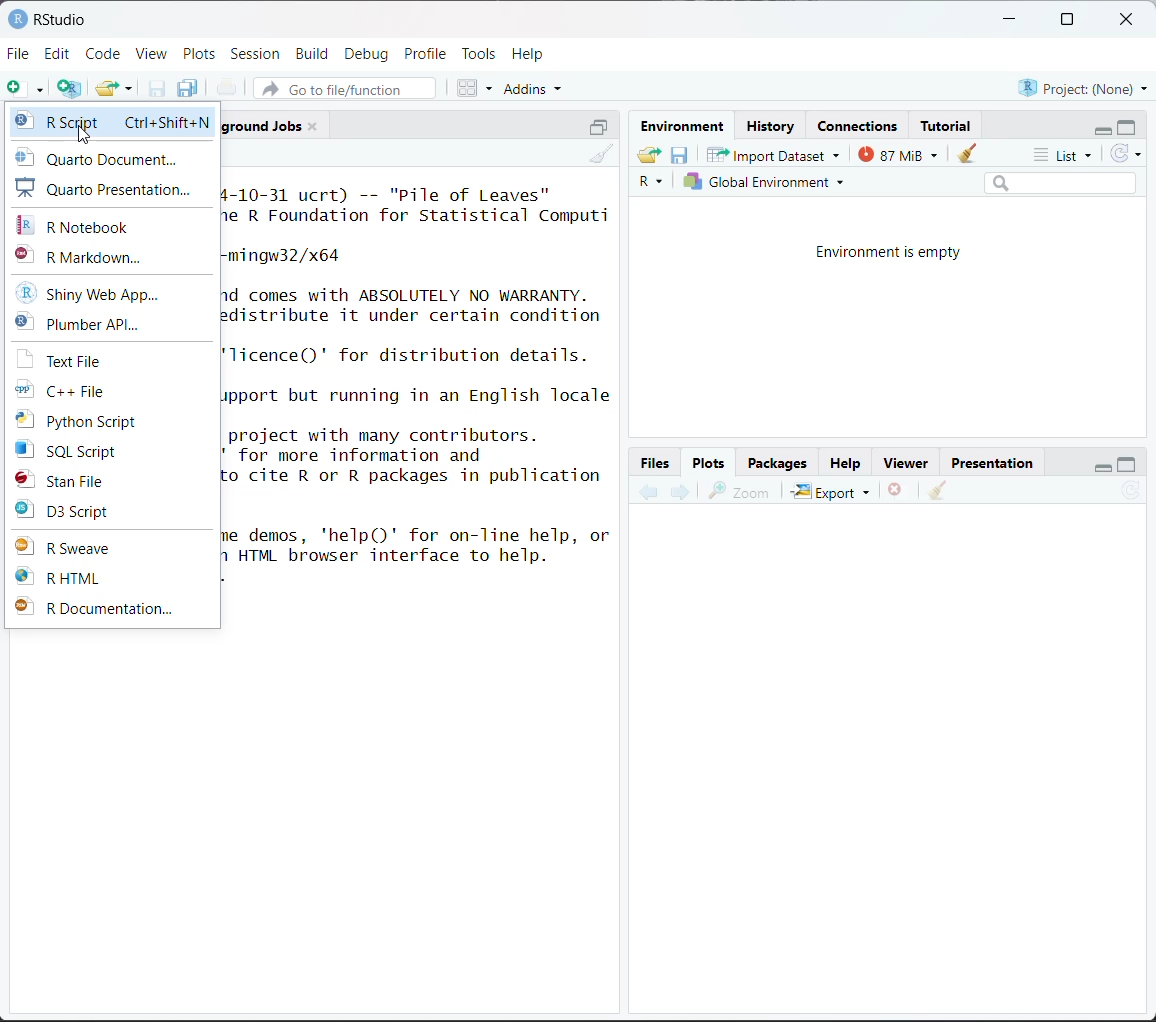 This screenshot has height=1022, width=1156. What do you see at coordinates (314, 123) in the screenshot?
I see `close` at bounding box center [314, 123].